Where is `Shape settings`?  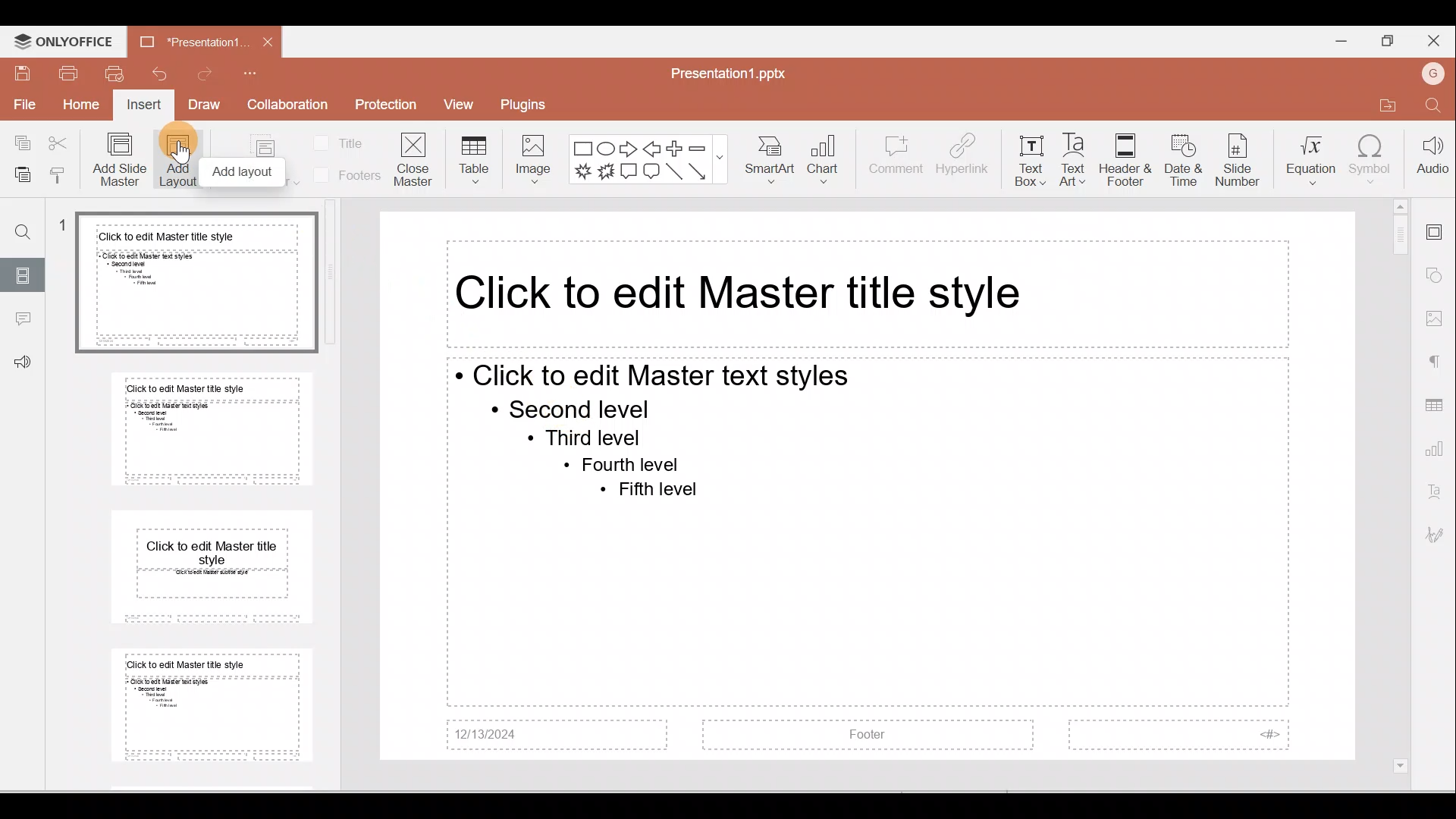 Shape settings is located at coordinates (1439, 277).